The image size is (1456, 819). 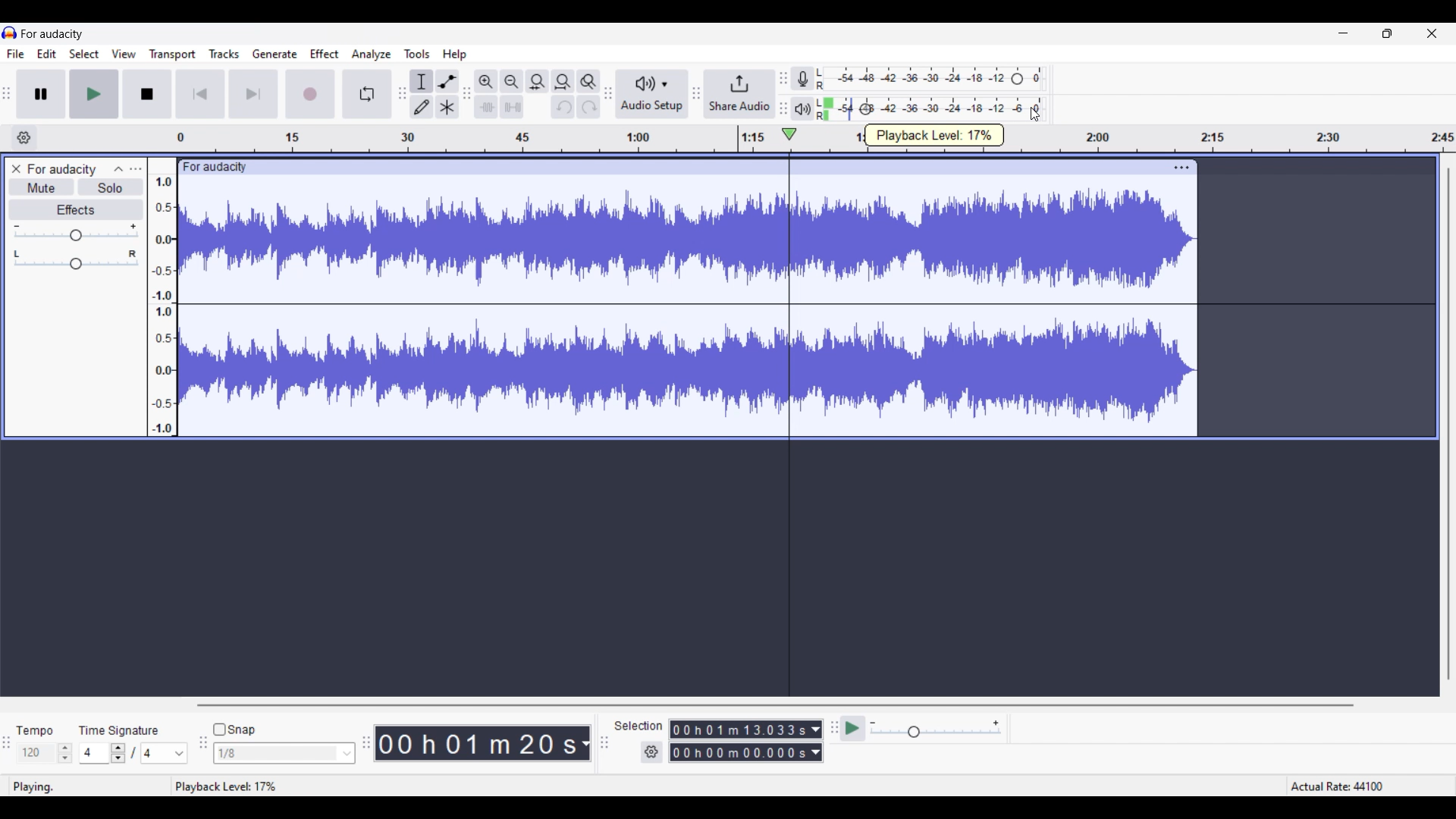 What do you see at coordinates (17, 168) in the screenshot?
I see `Close track` at bounding box center [17, 168].